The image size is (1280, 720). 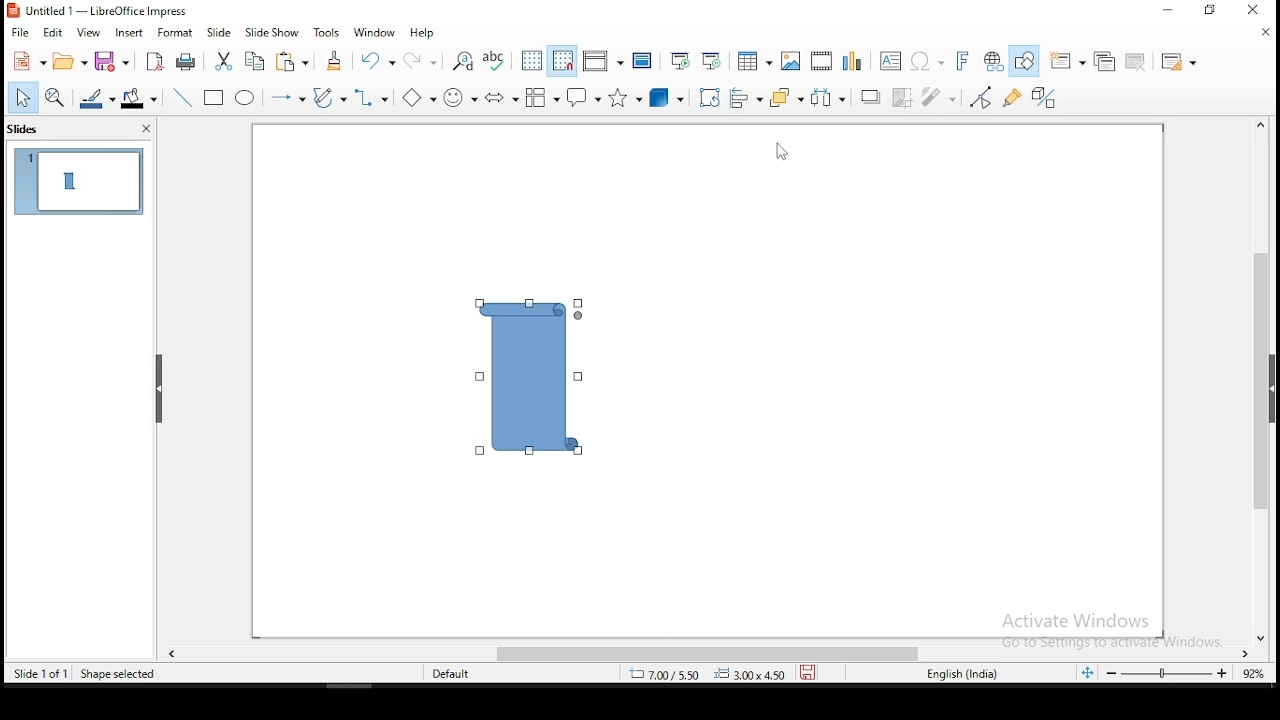 What do you see at coordinates (288, 96) in the screenshot?
I see `lines and arrows` at bounding box center [288, 96].